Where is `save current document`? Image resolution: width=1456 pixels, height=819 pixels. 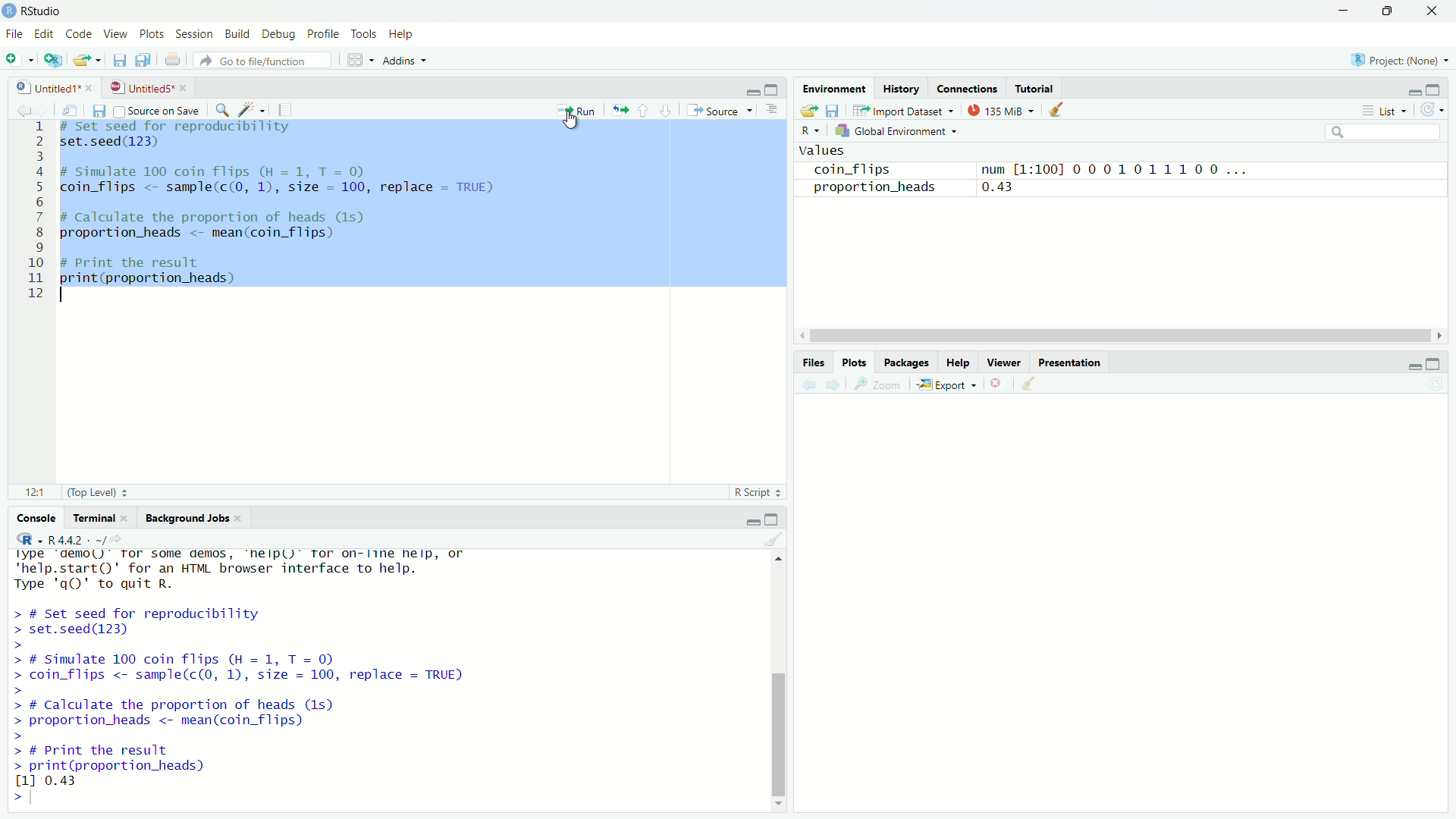
save current document is located at coordinates (118, 61).